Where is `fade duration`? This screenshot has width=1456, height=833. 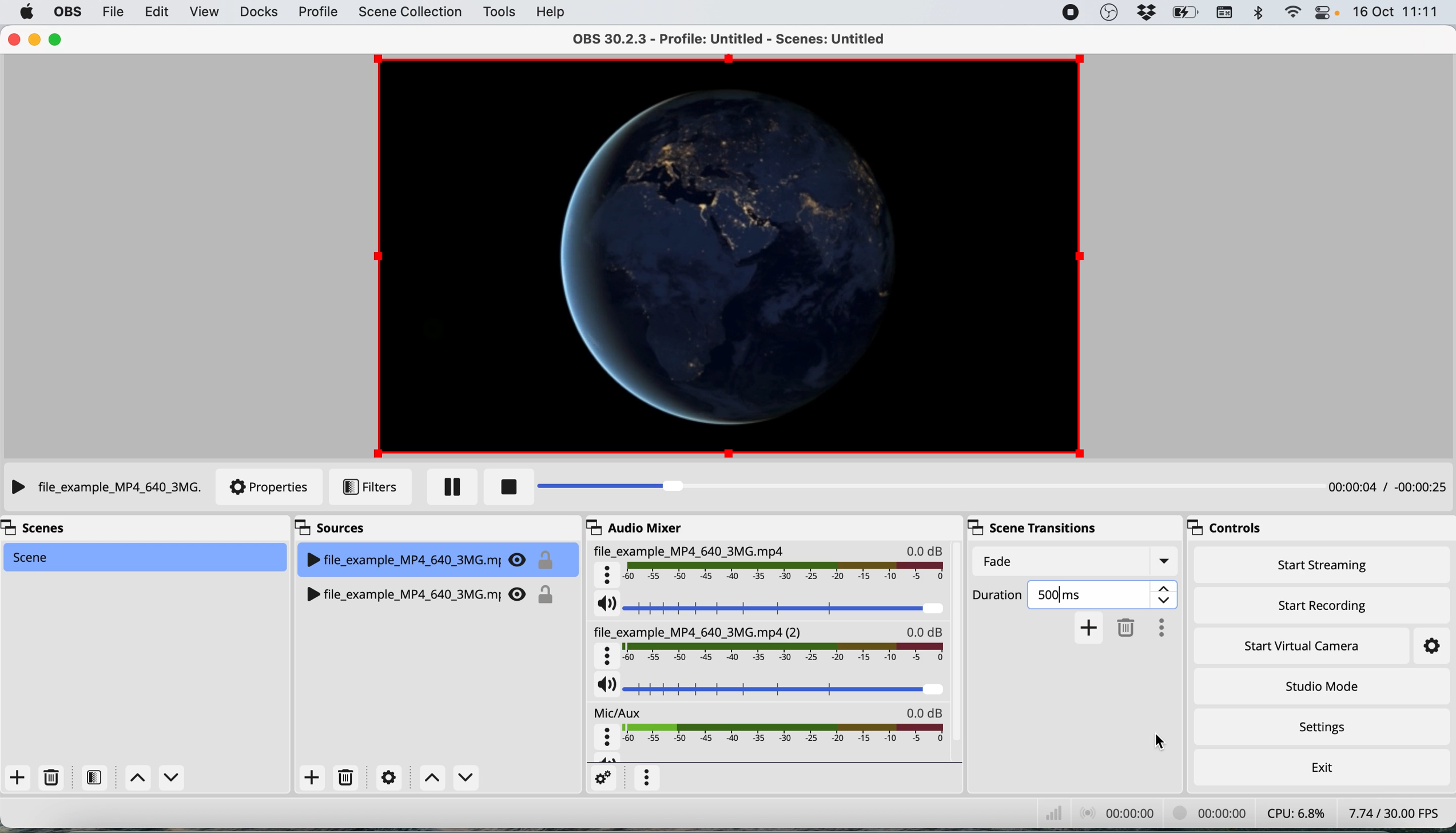
fade duration is located at coordinates (1075, 560).